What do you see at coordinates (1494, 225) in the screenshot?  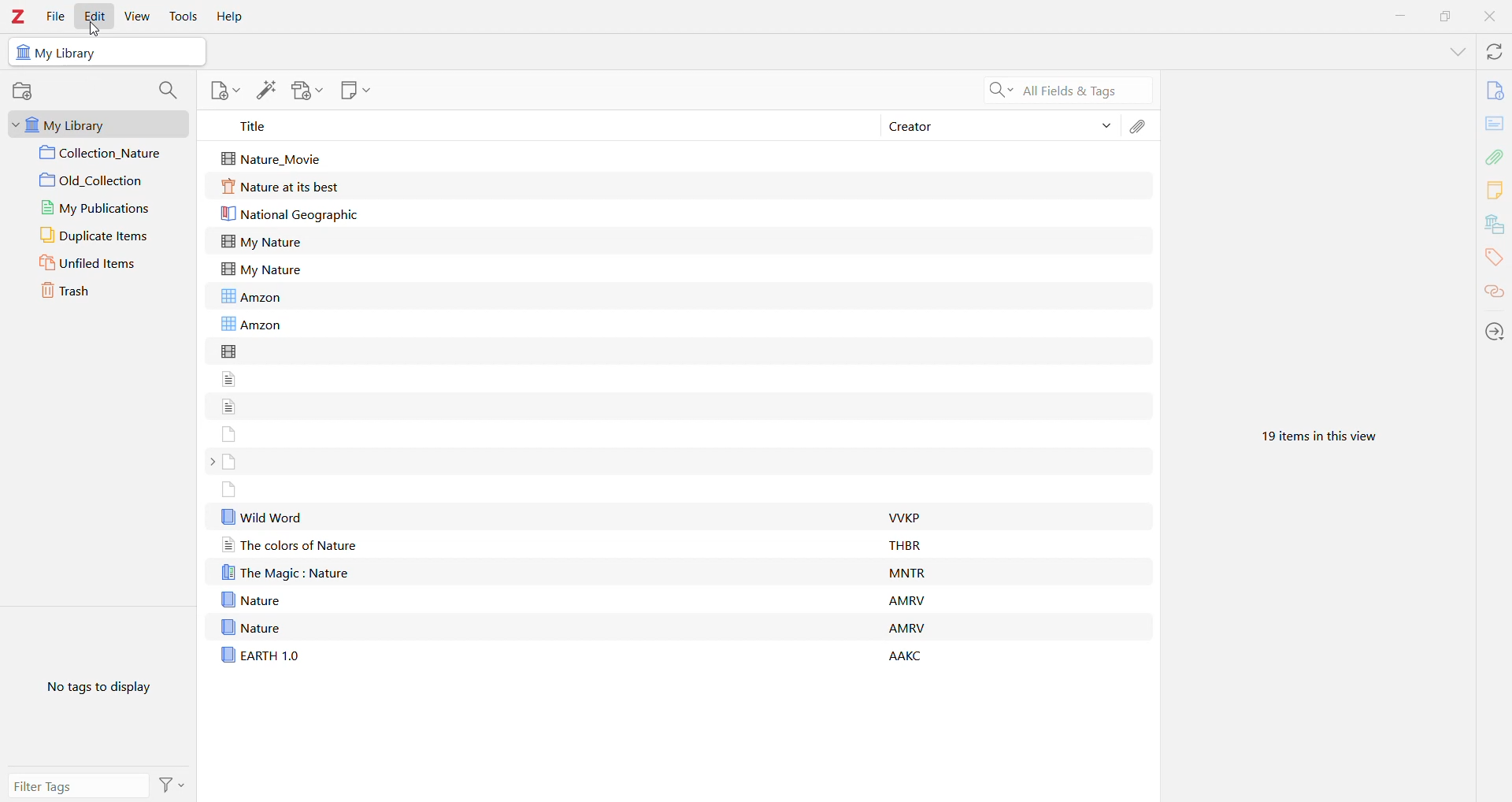 I see `Libraries and Collections` at bounding box center [1494, 225].